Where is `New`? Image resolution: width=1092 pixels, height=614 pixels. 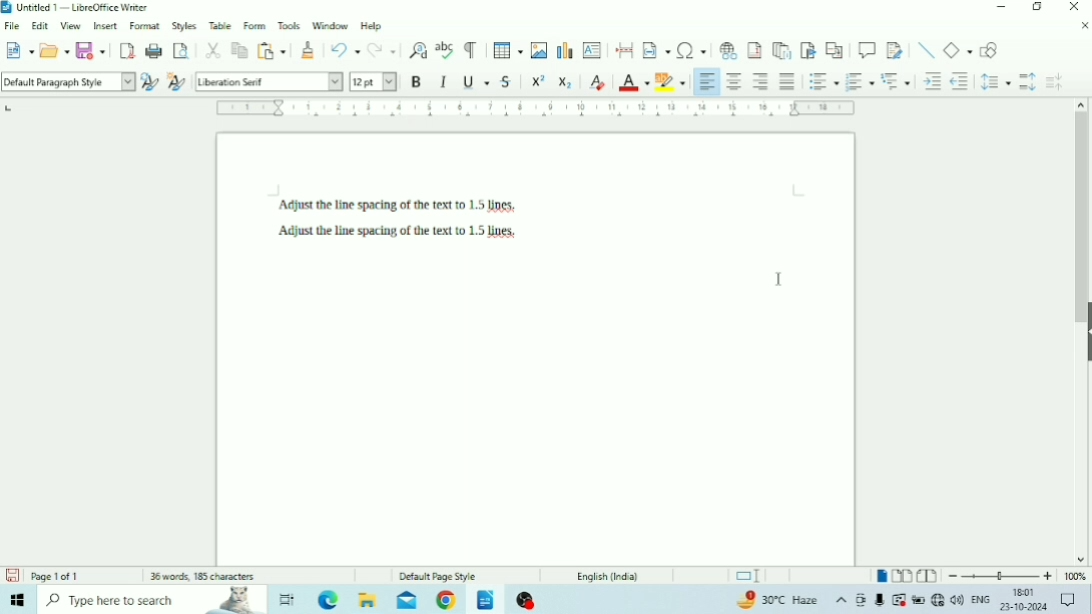
New is located at coordinates (20, 49).